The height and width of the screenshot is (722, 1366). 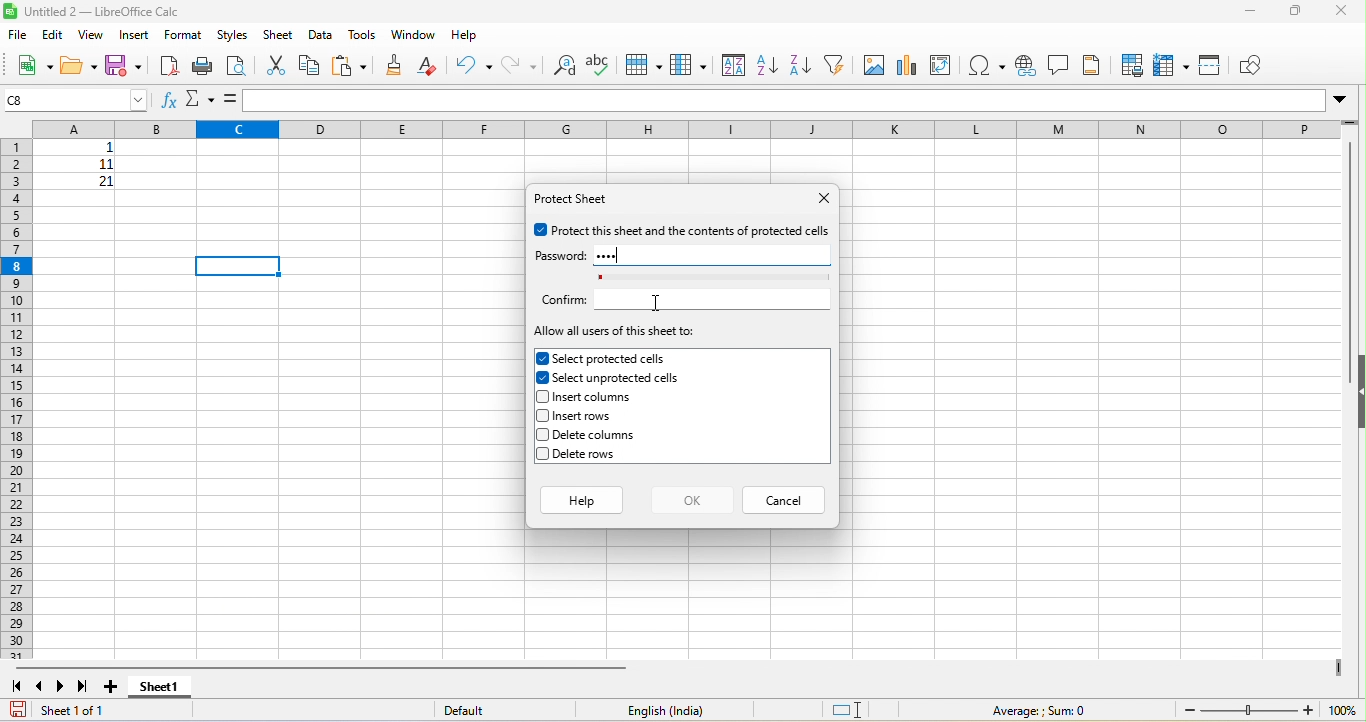 What do you see at coordinates (657, 302) in the screenshot?
I see `cursor movement` at bounding box center [657, 302].